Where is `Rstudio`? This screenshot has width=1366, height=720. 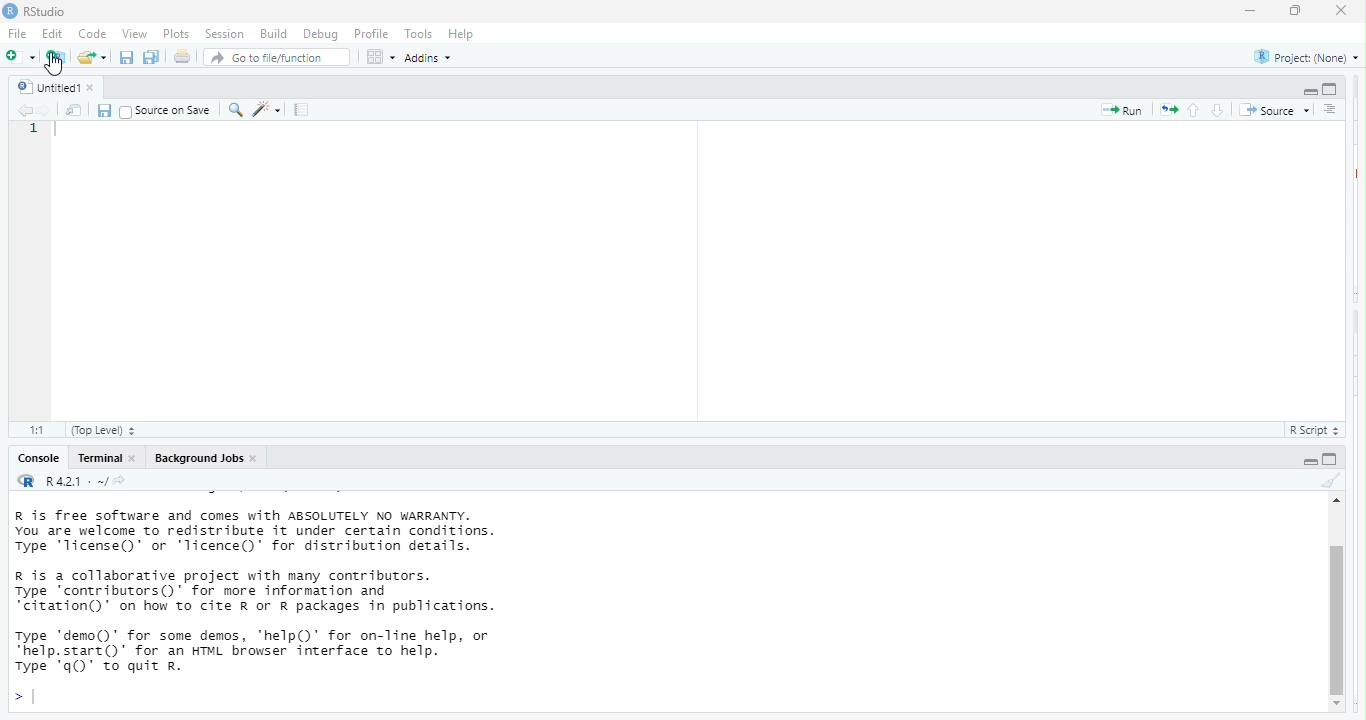
Rstudio is located at coordinates (46, 11).